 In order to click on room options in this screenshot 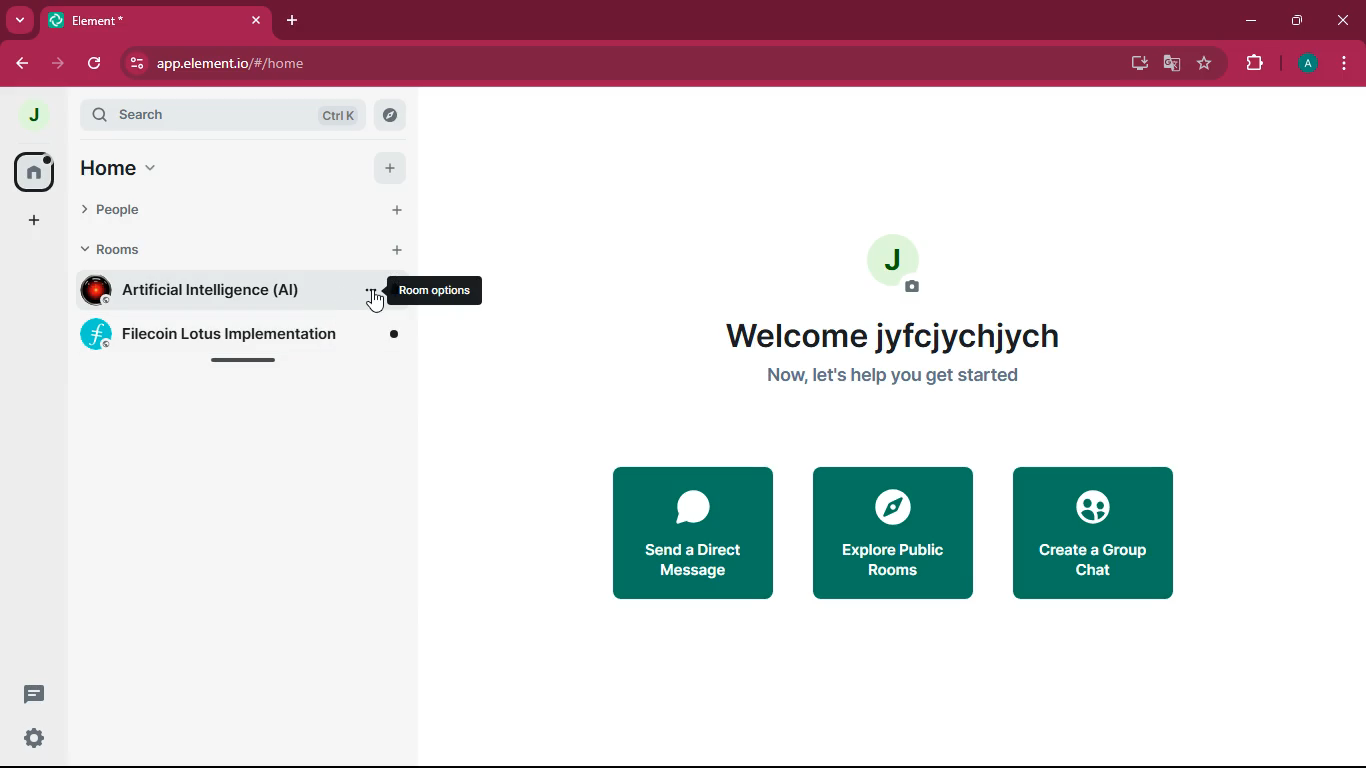, I will do `click(435, 291)`.